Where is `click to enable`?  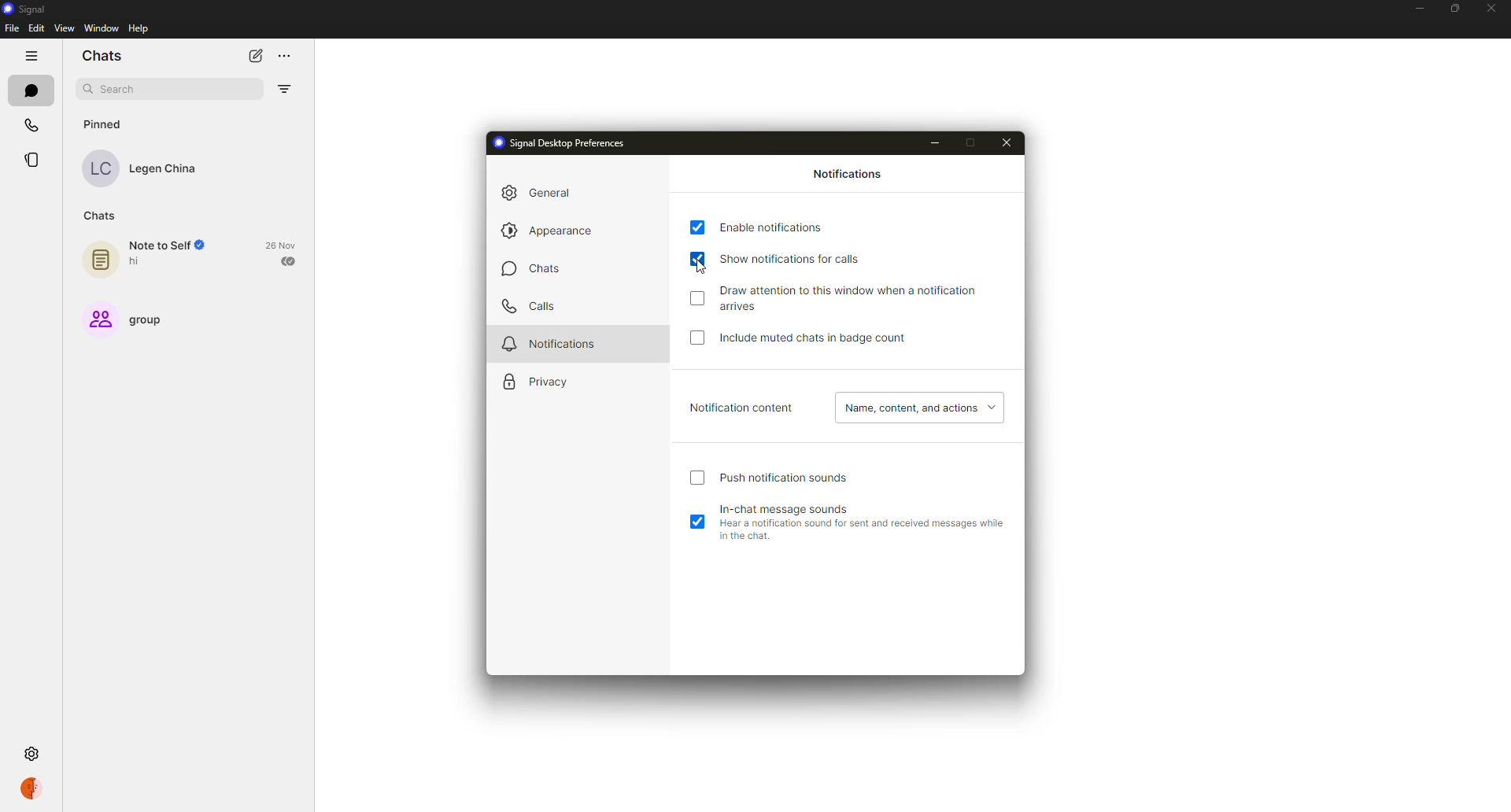
click to enable is located at coordinates (694, 337).